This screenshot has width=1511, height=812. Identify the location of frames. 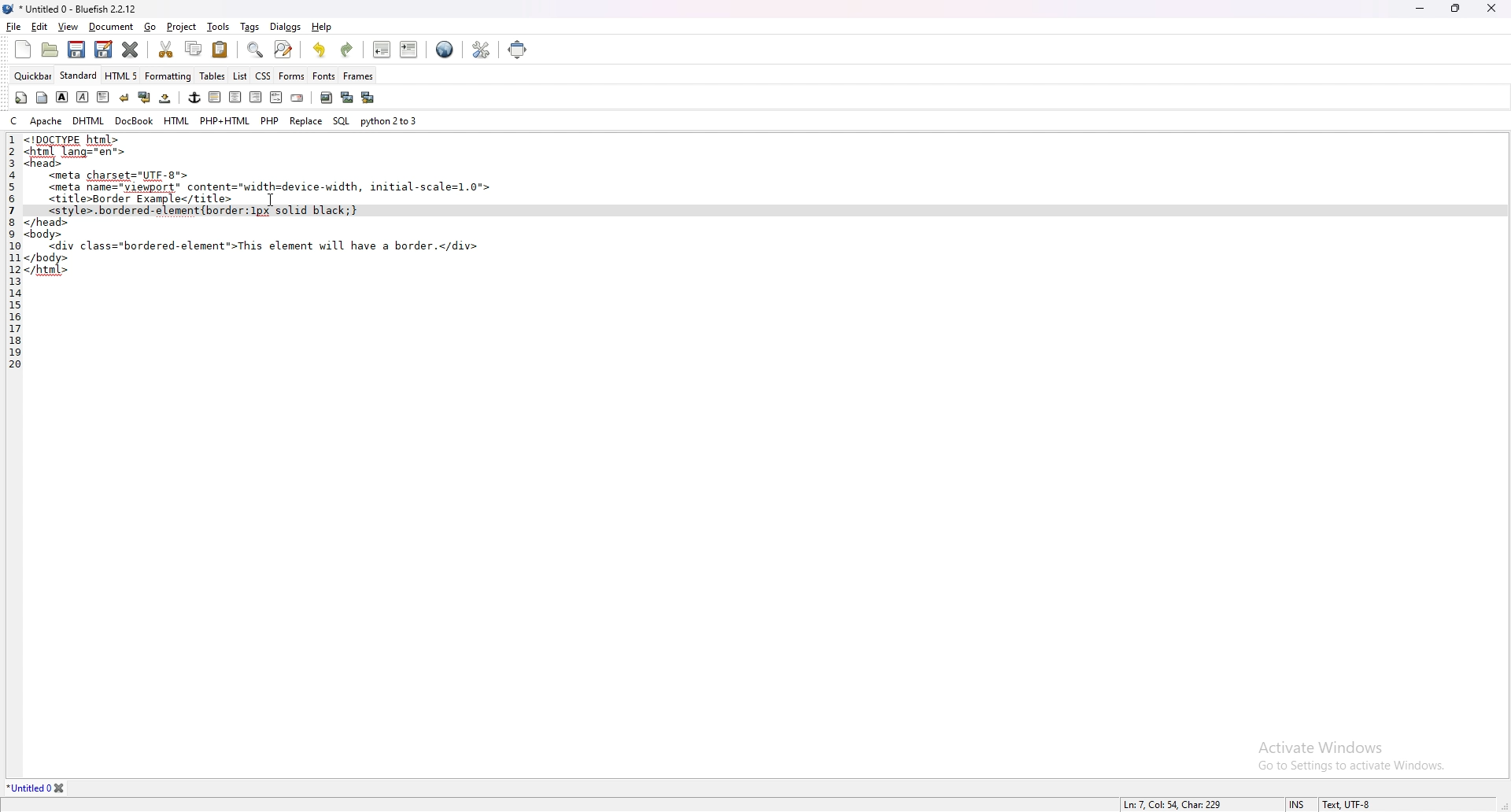
(358, 76).